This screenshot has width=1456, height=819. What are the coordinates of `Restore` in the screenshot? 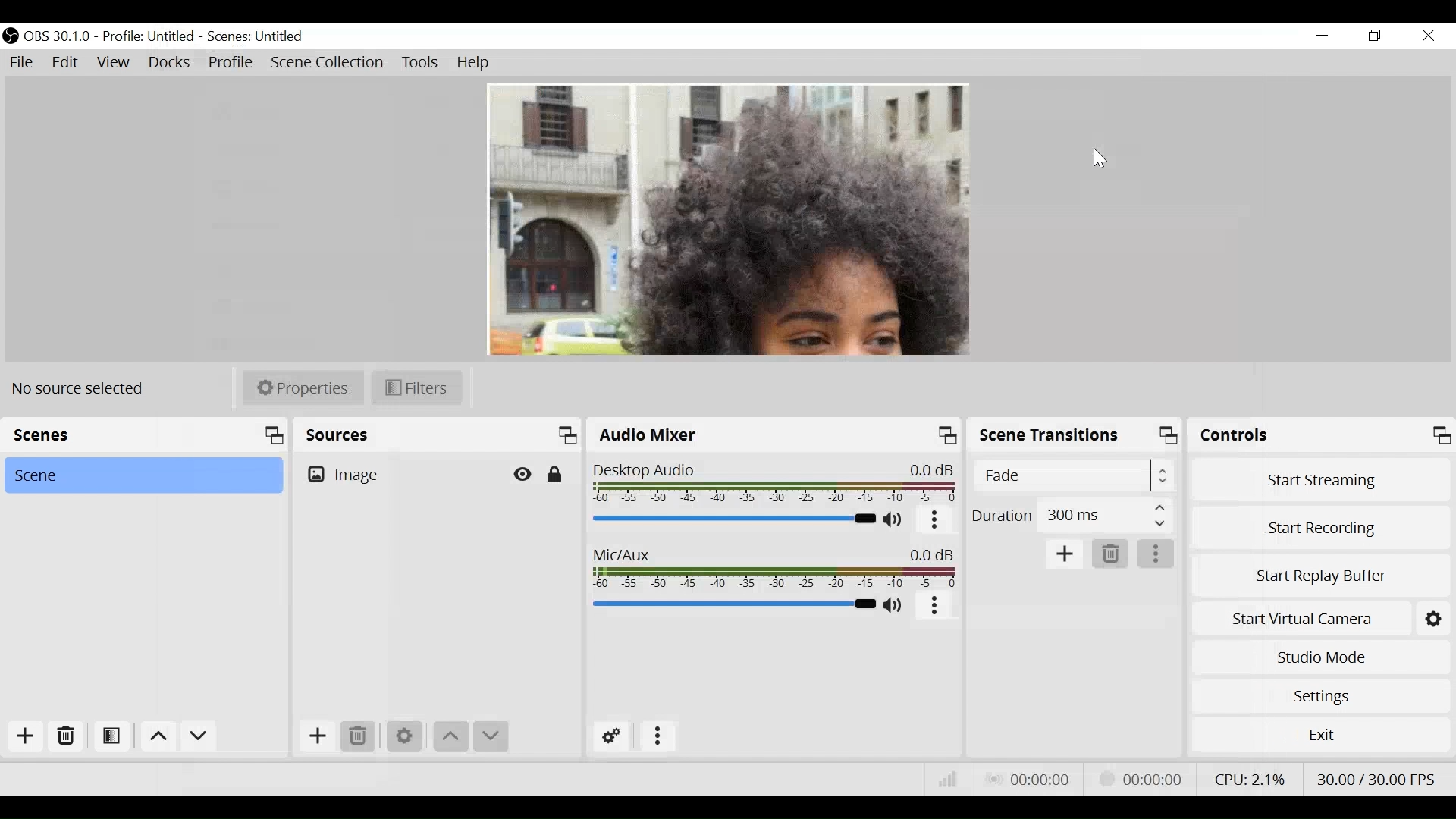 It's located at (1376, 36).